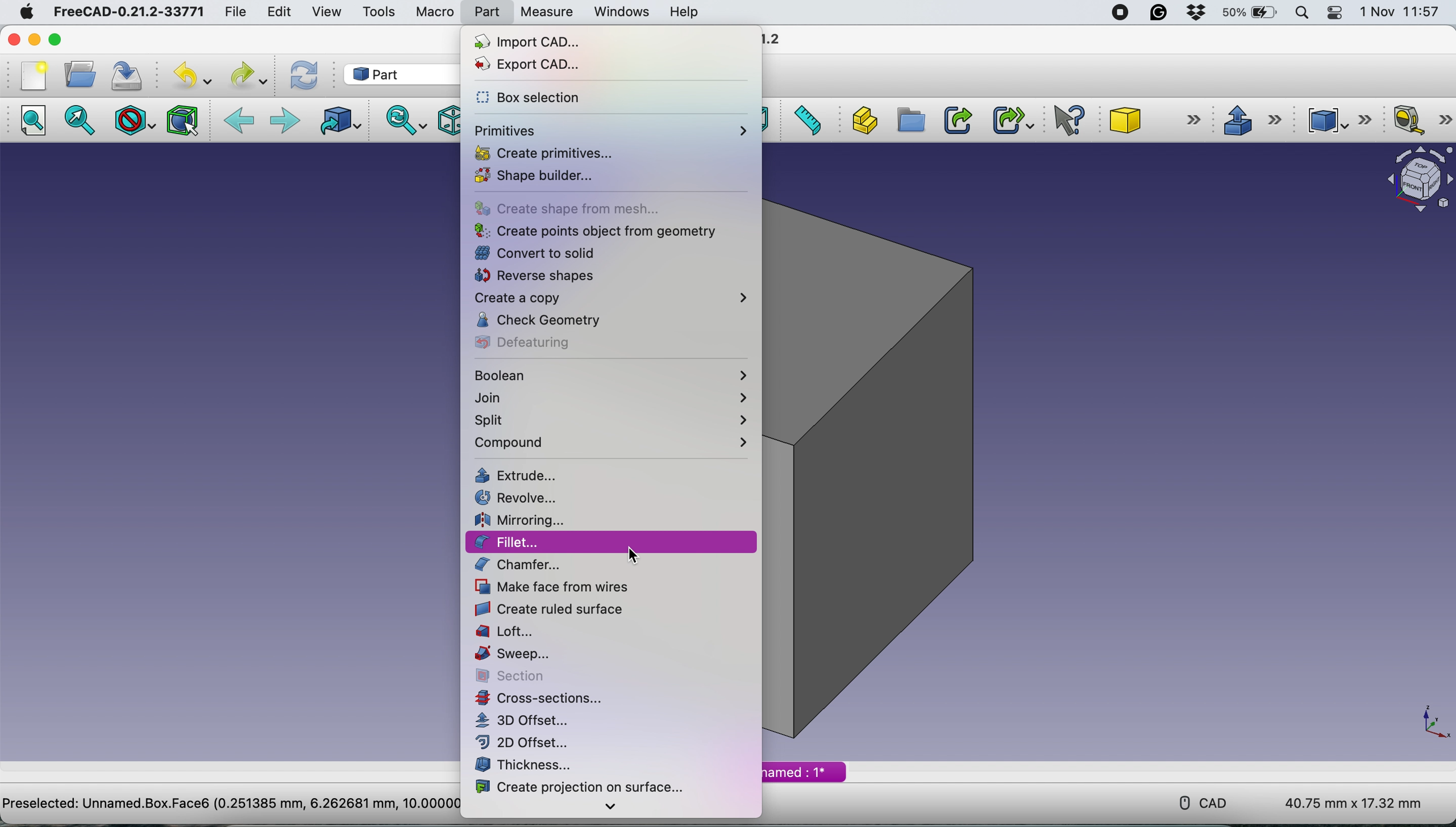 The width and height of the screenshot is (1456, 827). Describe the element at coordinates (486, 11) in the screenshot. I see `part` at that location.